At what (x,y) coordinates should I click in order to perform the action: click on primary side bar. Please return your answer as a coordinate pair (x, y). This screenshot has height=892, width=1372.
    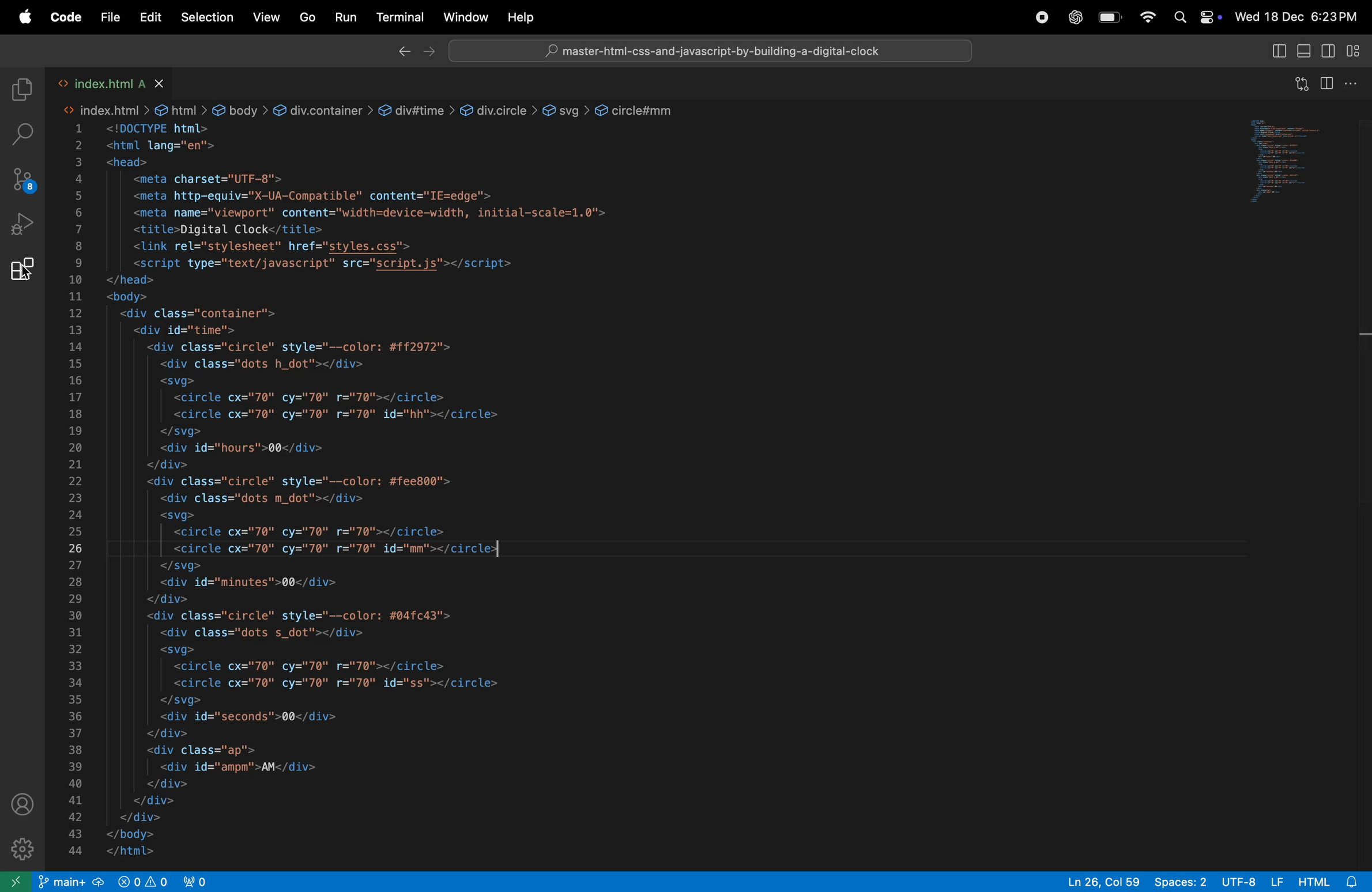
    Looking at the image, I should click on (1279, 51).